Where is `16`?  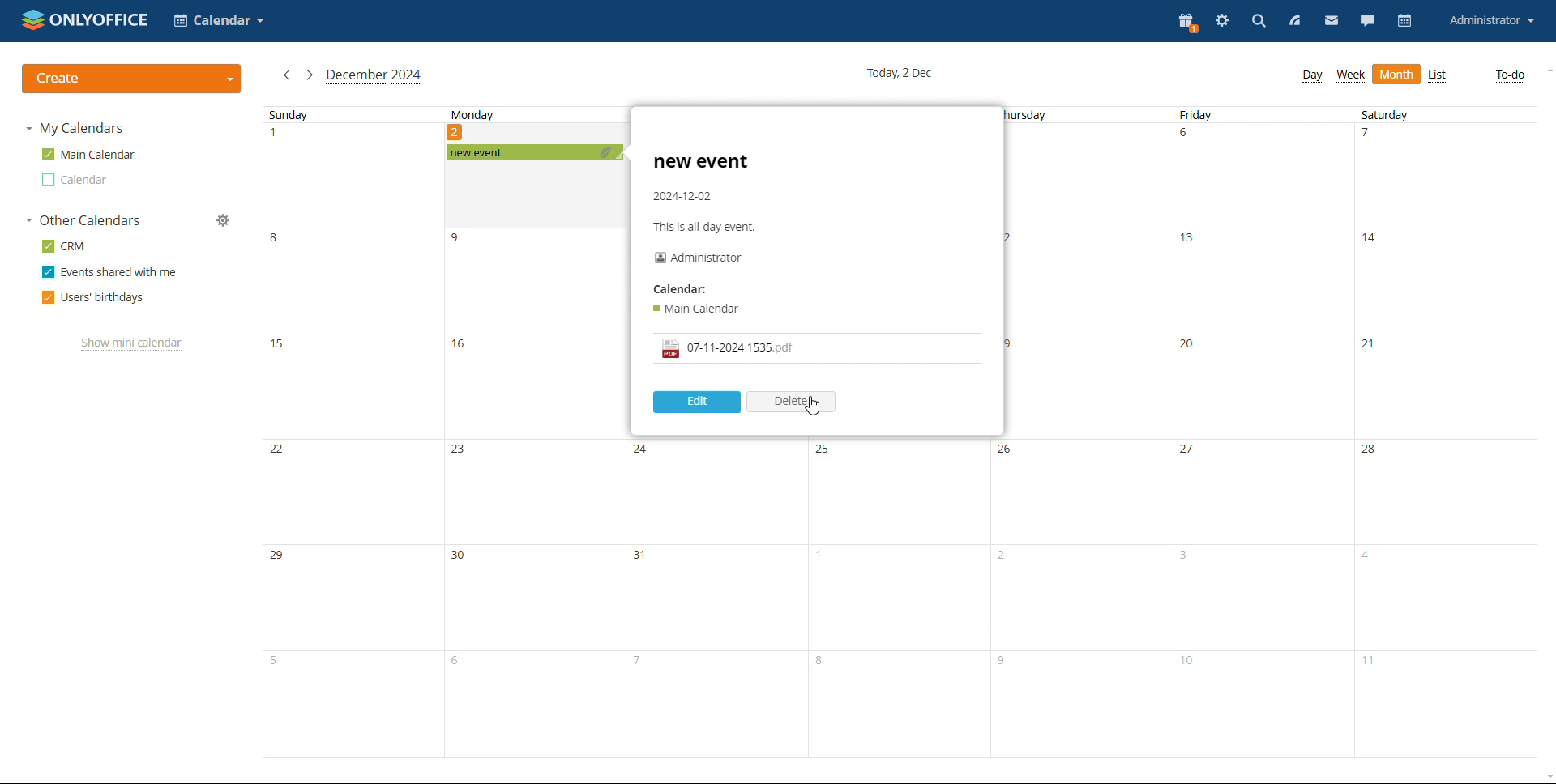 16 is located at coordinates (462, 350).